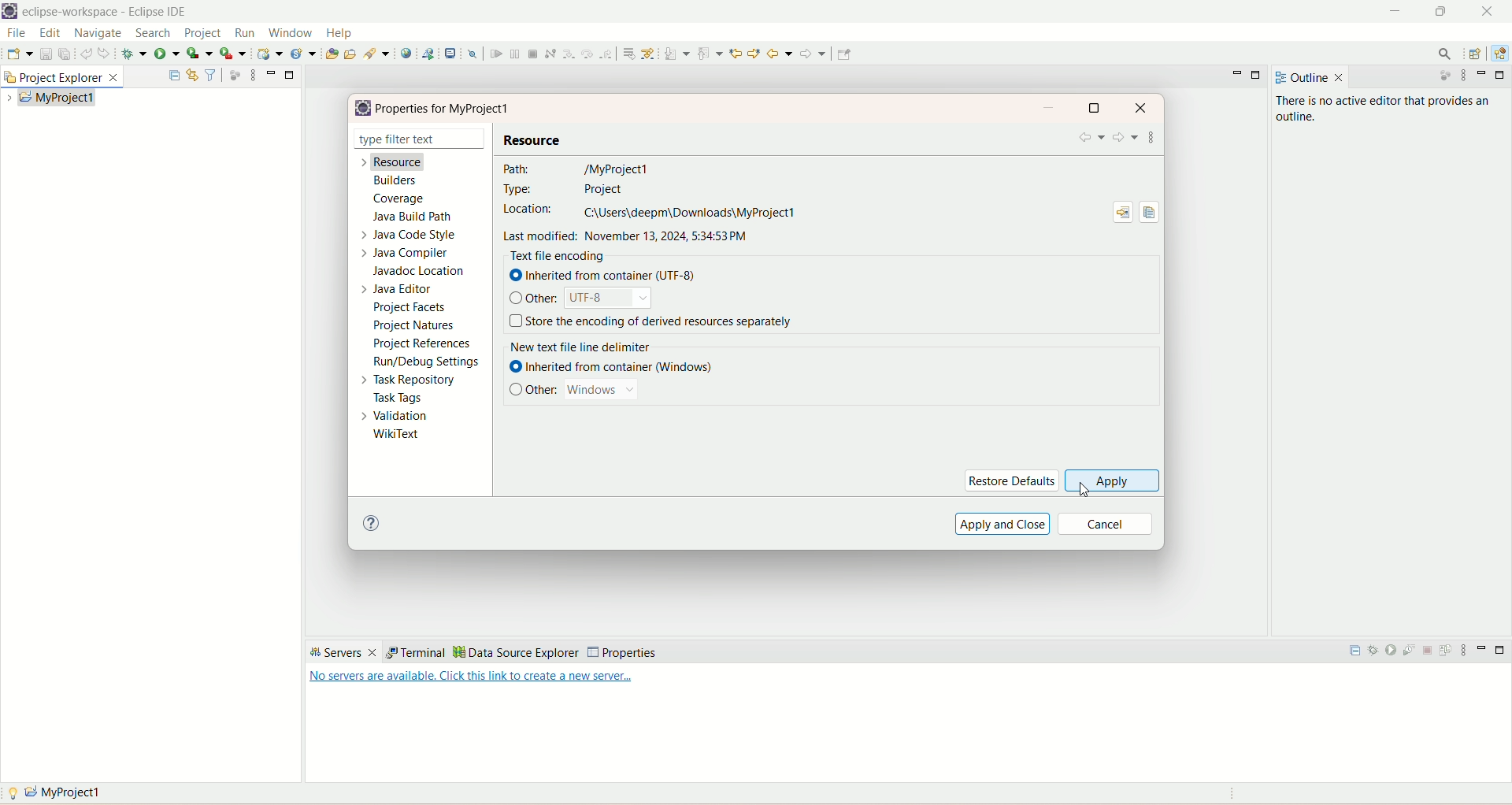 The height and width of the screenshot is (805, 1512). What do you see at coordinates (407, 381) in the screenshot?
I see `task repository` at bounding box center [407, 381].